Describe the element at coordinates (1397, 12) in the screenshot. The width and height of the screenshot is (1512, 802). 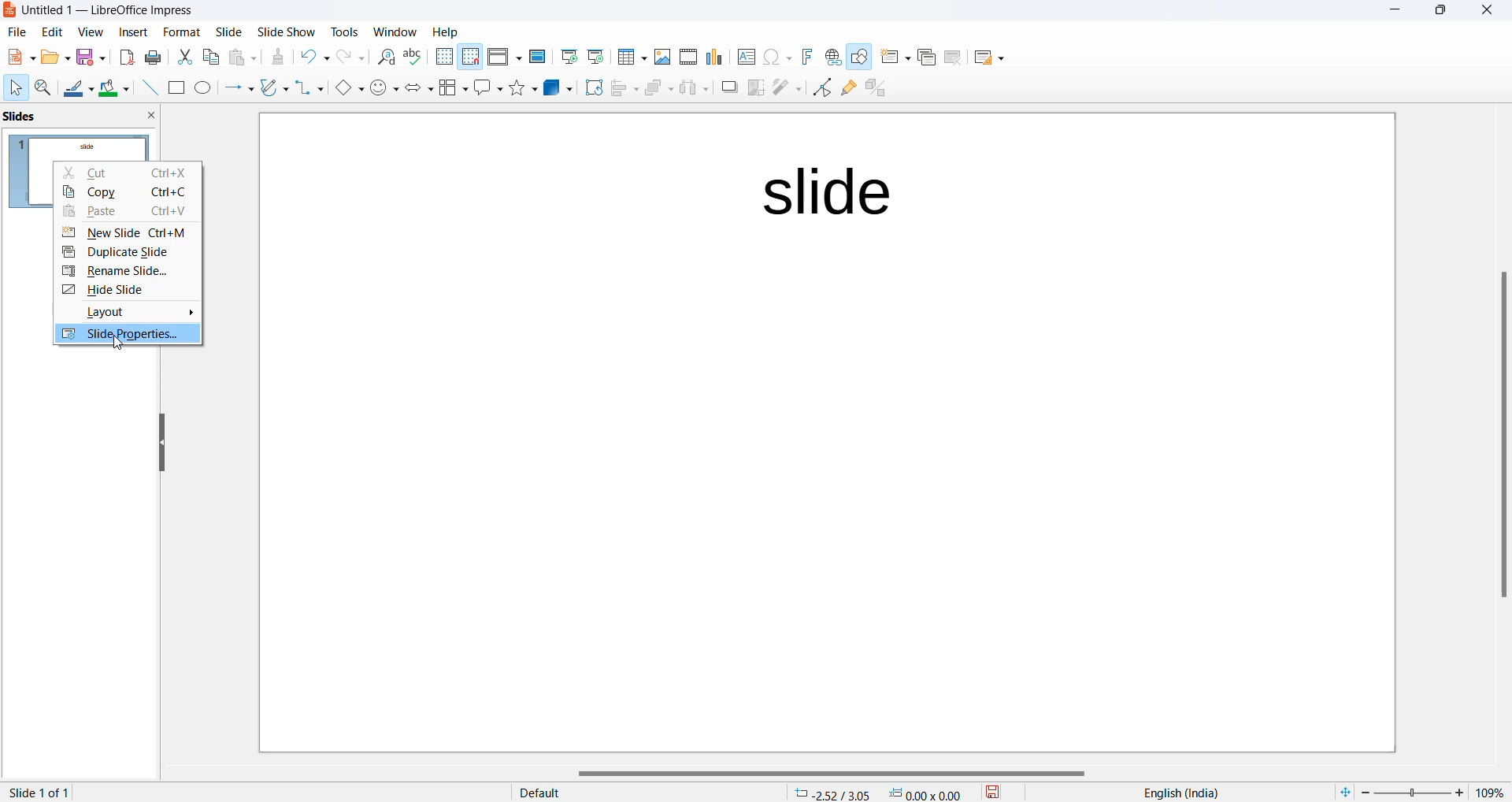
I see `close` at that location.